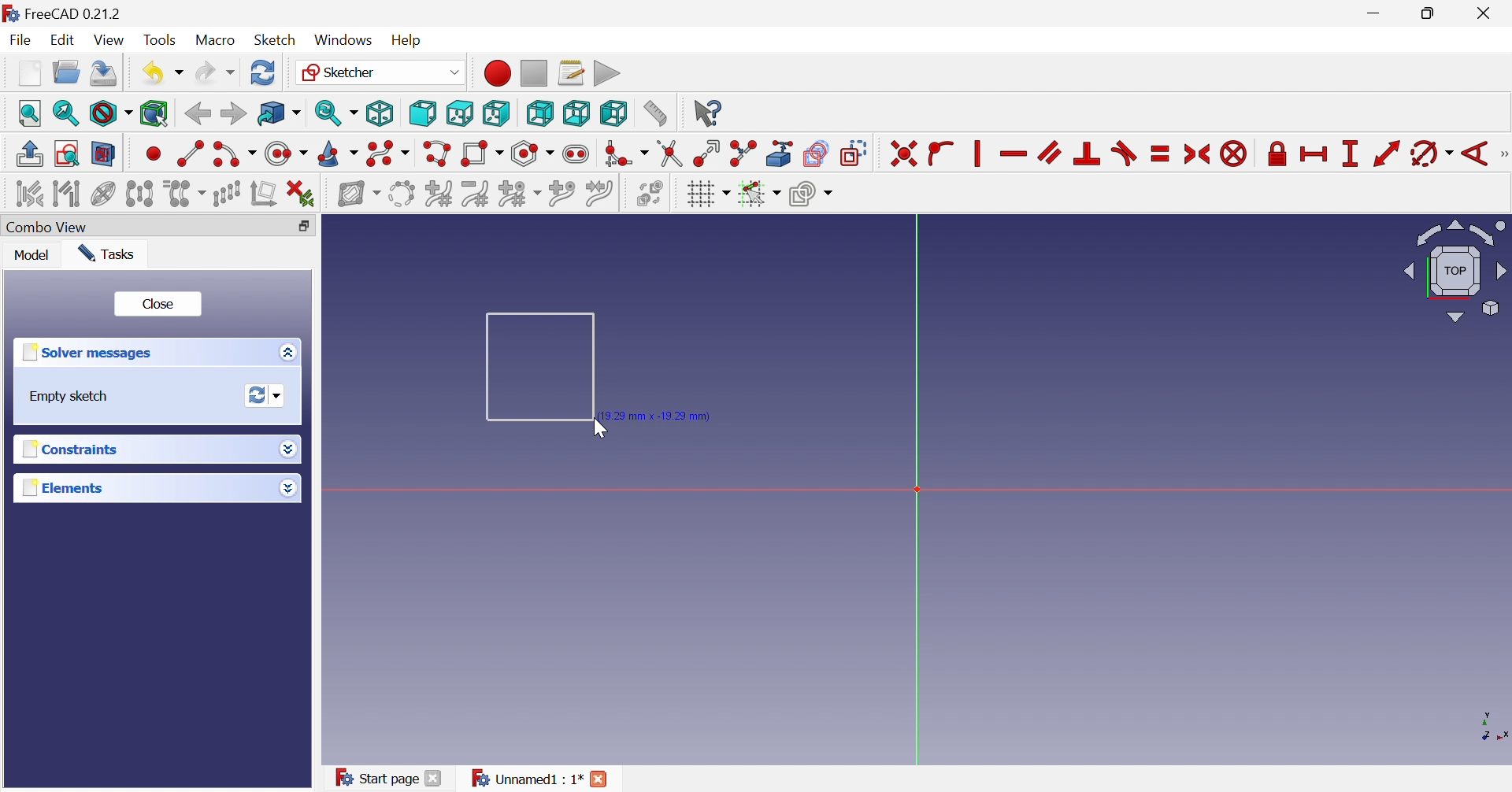 This screenshot has height=792, width=1512. What do you see at coordinates (64, 113) in the screenshot?
I see `Fit selection` at bounding box center [64, 113].